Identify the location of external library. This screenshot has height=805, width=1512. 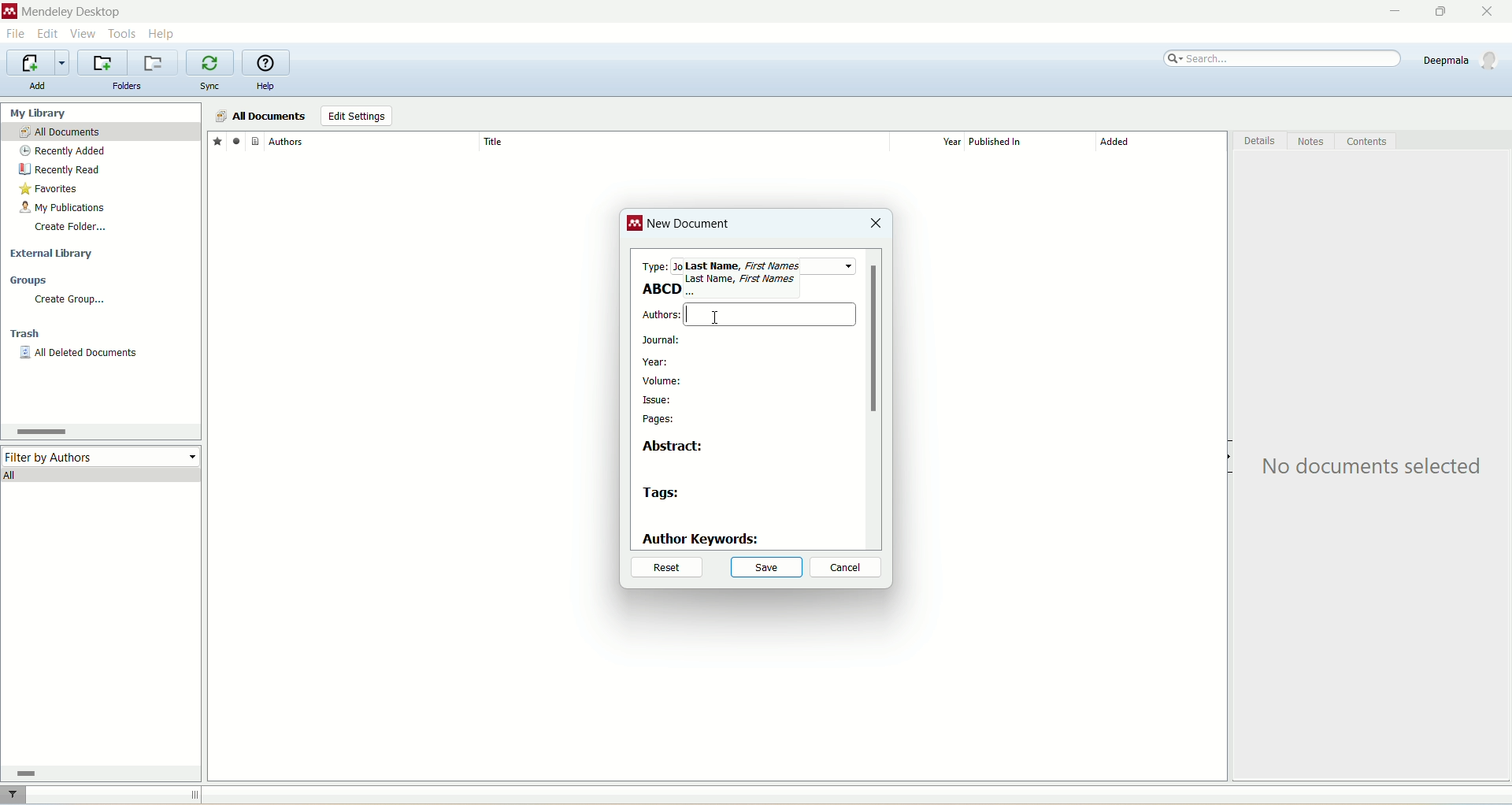
(54, 254).